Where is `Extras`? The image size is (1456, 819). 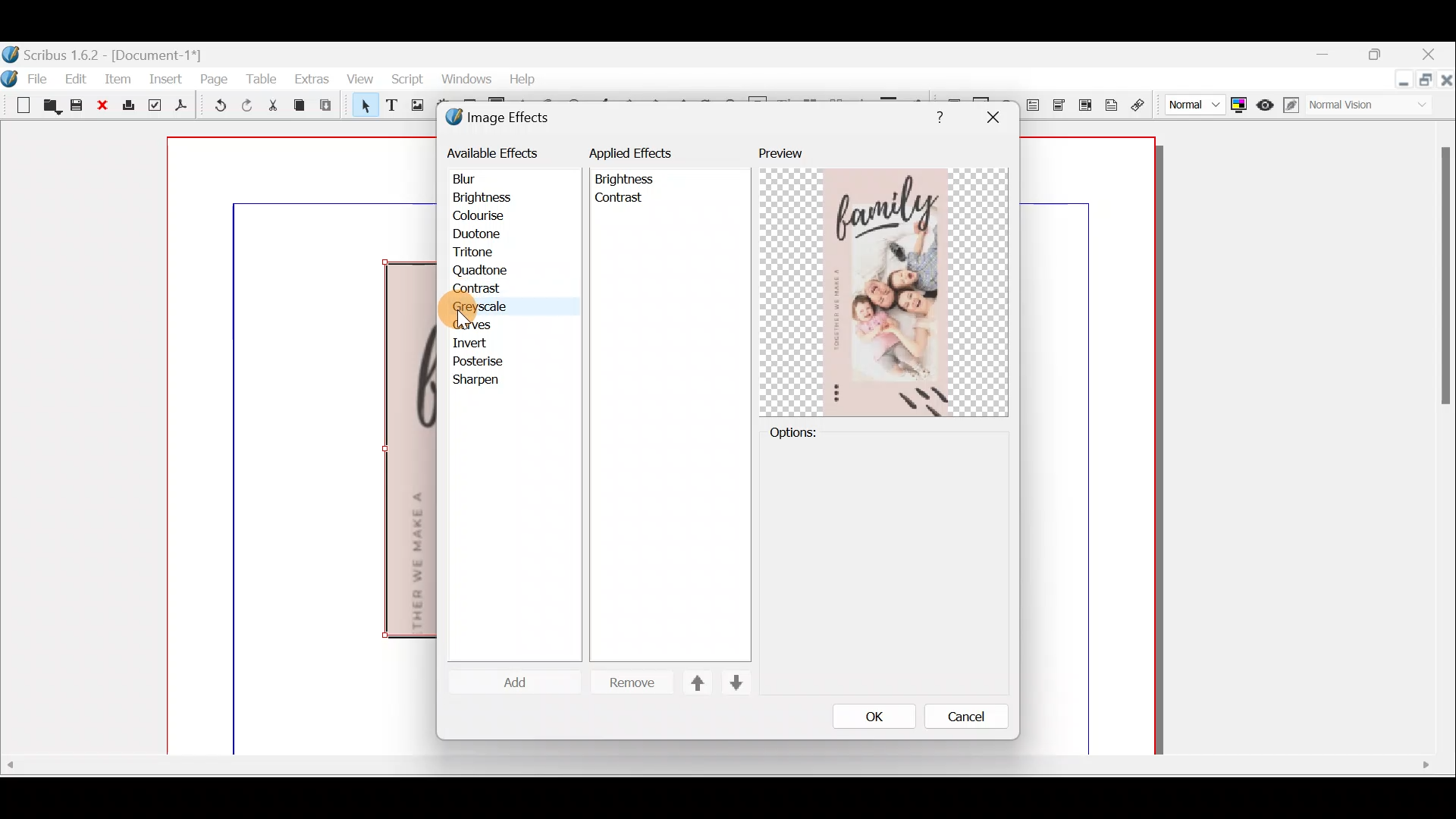 Extras is located at coordinates (312, 83).